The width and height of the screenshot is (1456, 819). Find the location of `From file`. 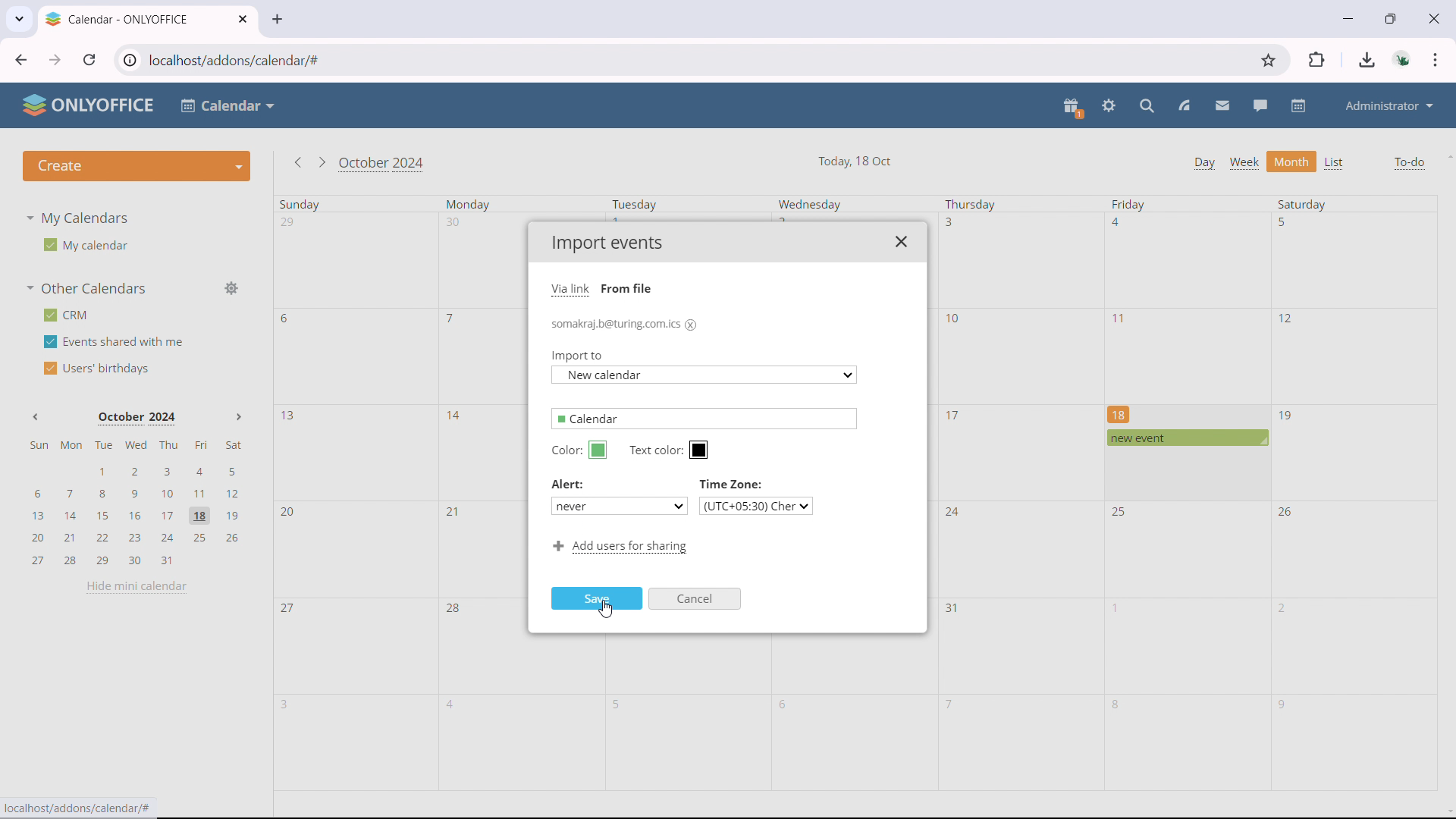

From file is located at coordinates (630, 290).